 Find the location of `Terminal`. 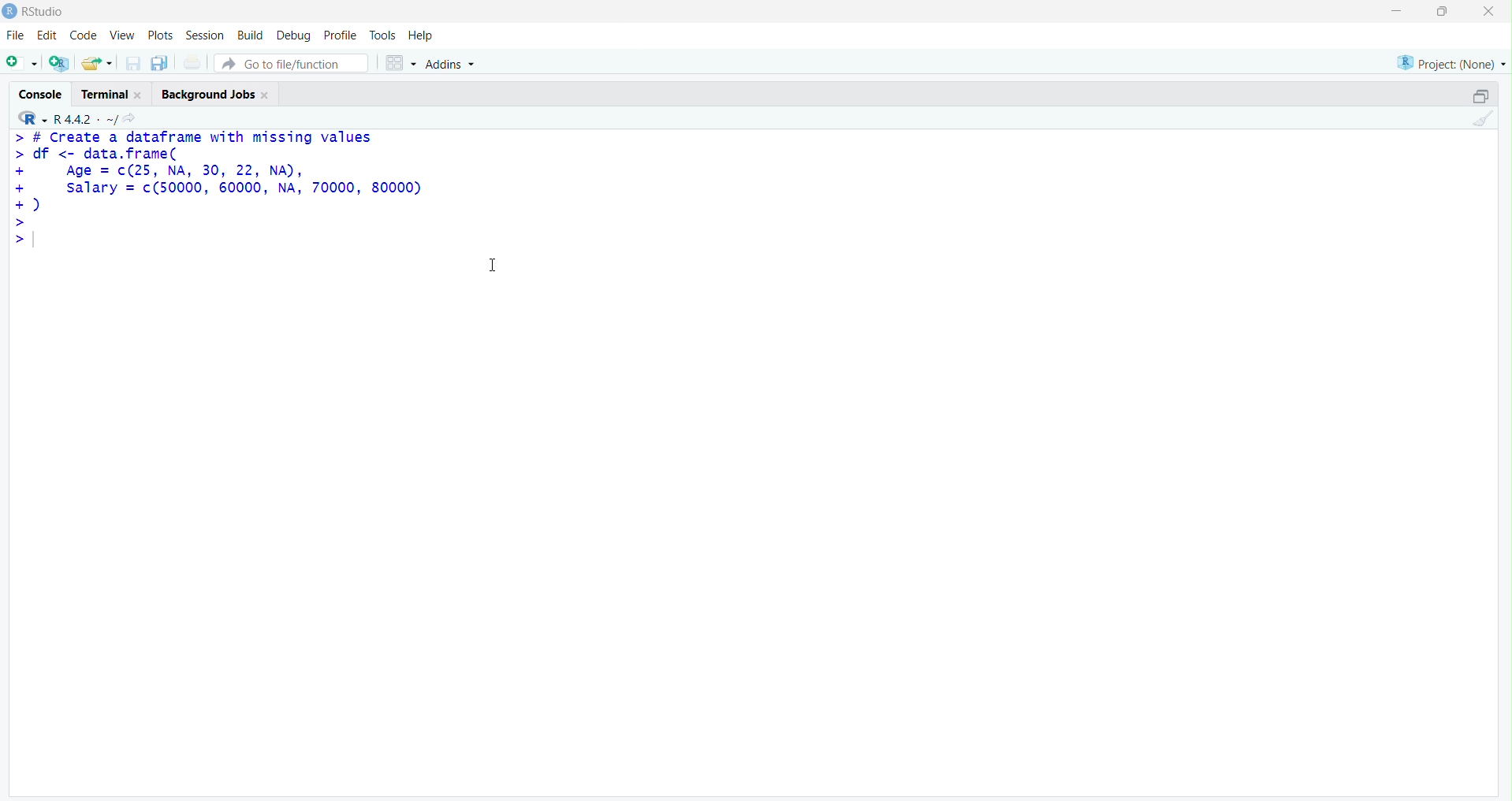

Terminal is located at coordinates (110, 91).